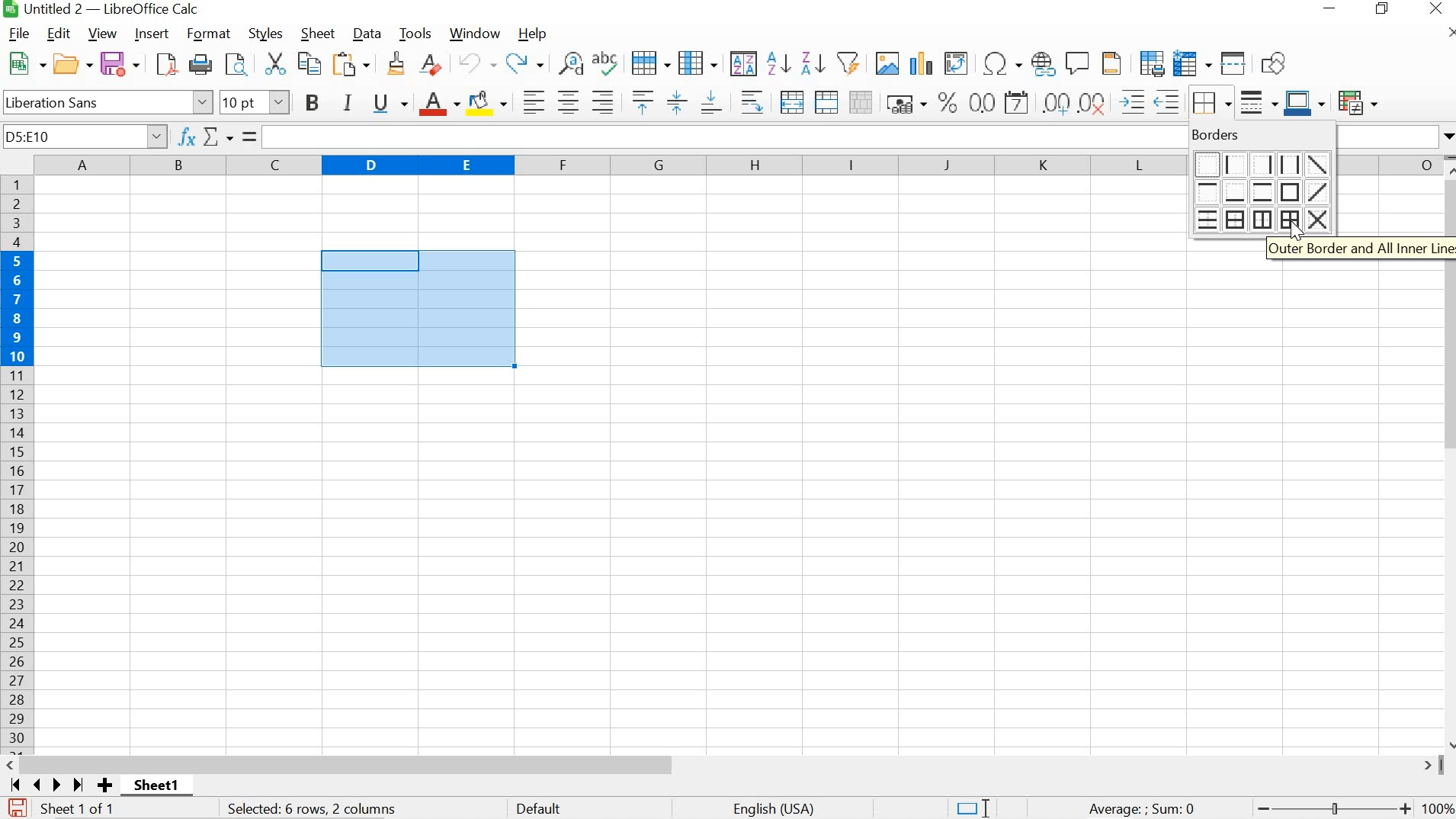 The width and height of the screenshot is (1456, 819). What do you see at coordinates (46, 785) in the screenshot?
I see `scroll to previous or next sheet` at bounding box center [46, 785].